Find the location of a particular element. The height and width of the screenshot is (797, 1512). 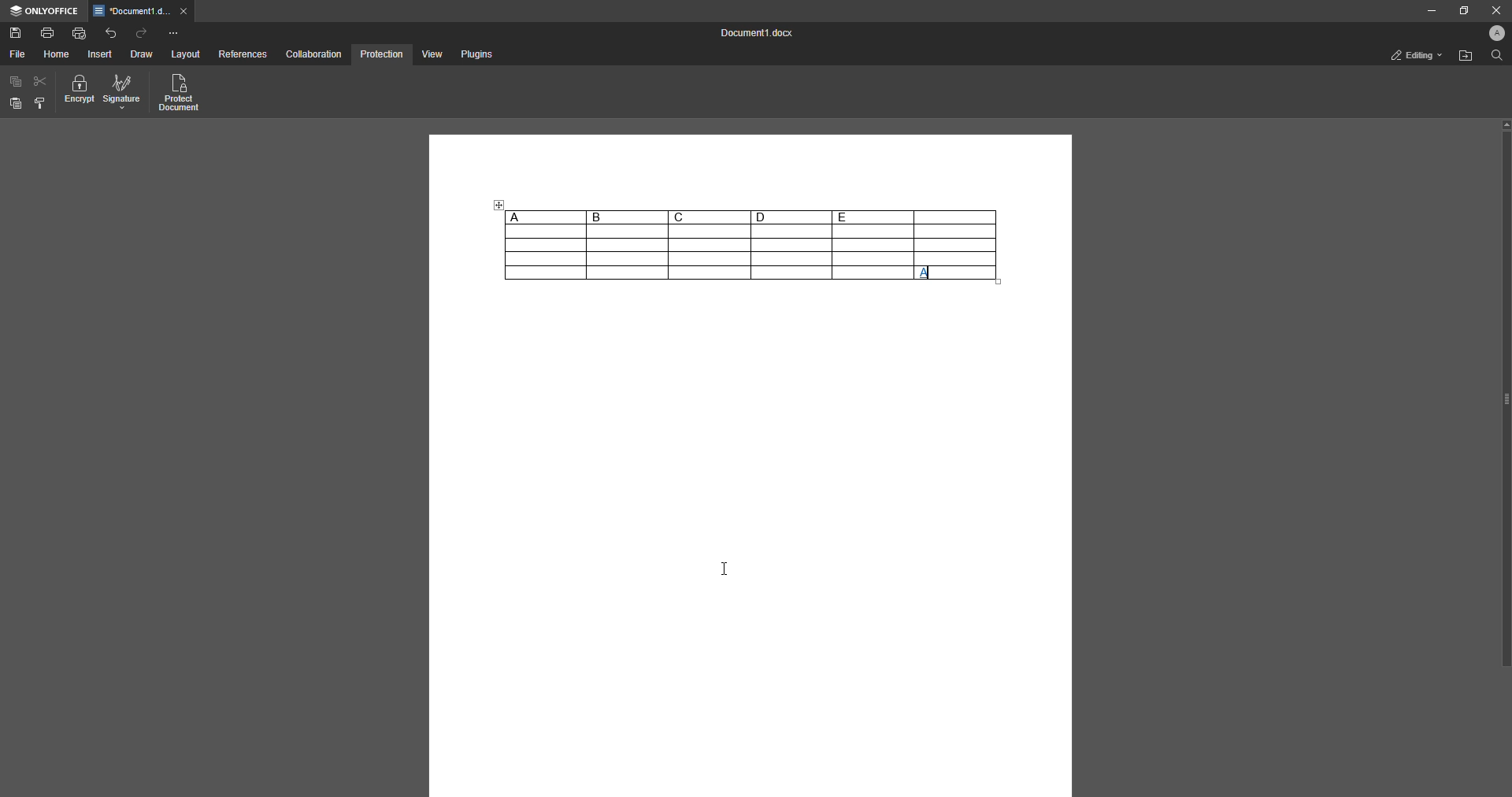

A is located at coordinates (926, 276).